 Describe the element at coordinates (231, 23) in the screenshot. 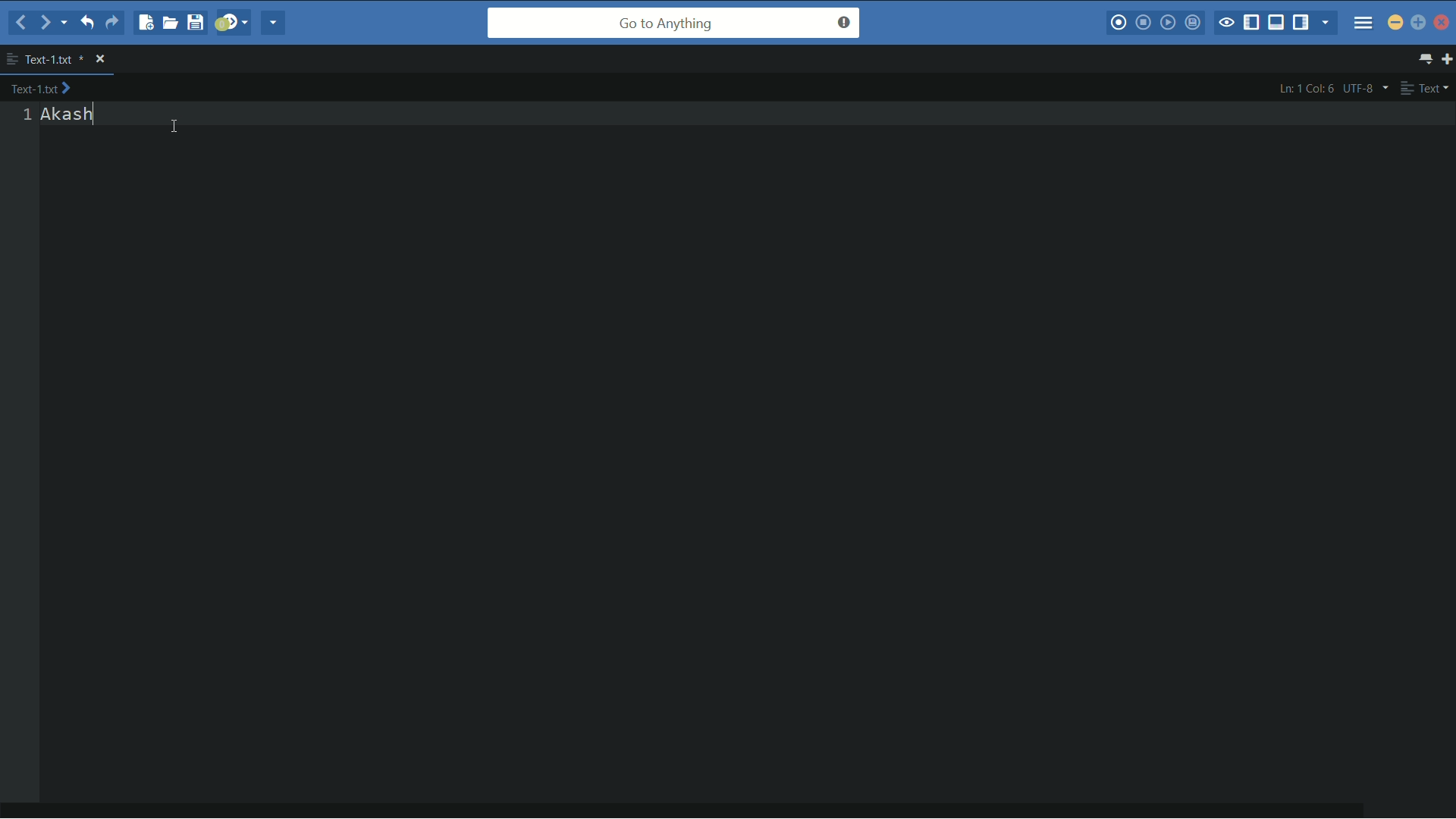

I see `jump to next syntax checking result` at that location.